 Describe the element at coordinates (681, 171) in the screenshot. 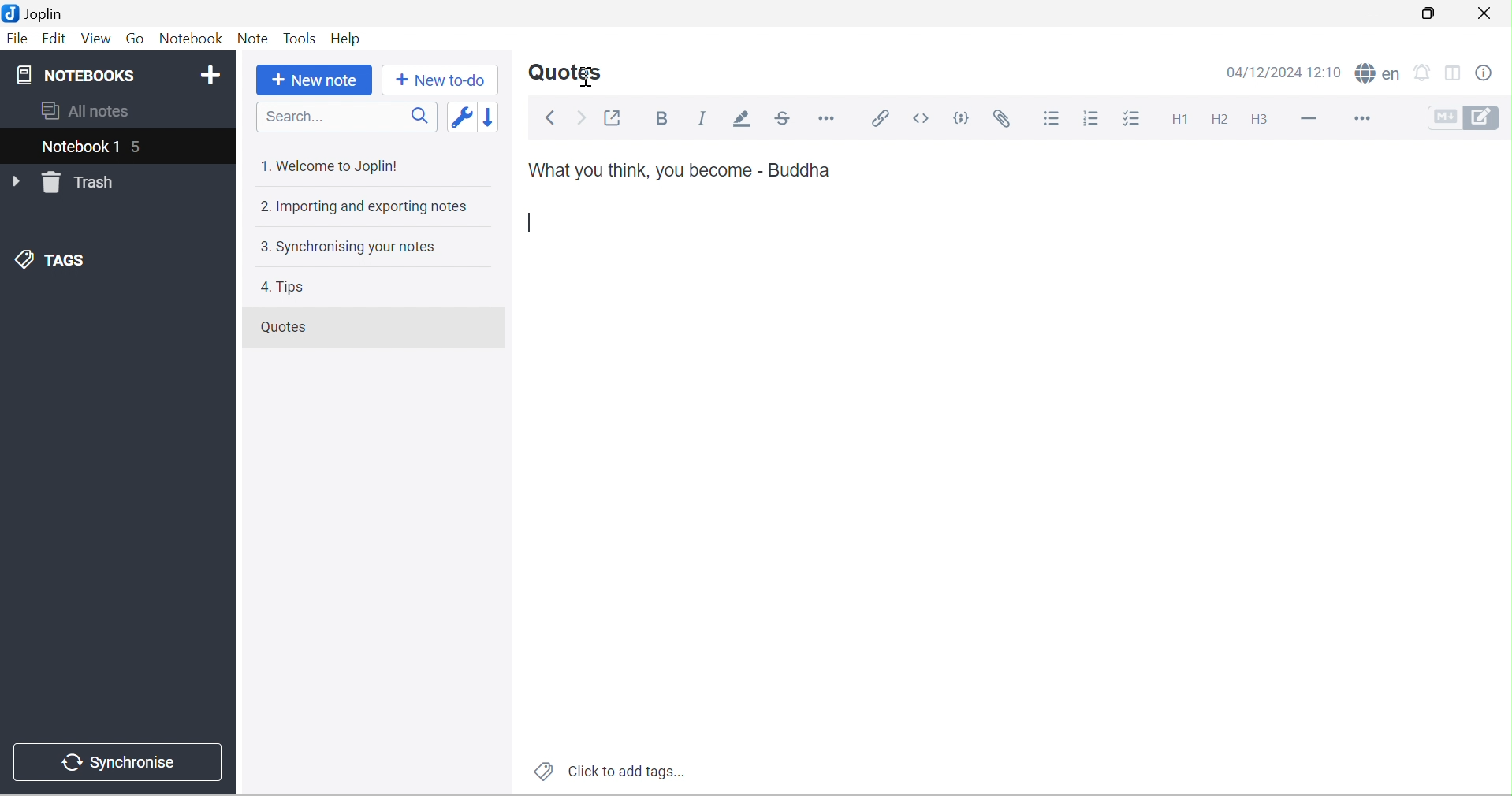

I see `What you think, you become - Buddha` at that location.